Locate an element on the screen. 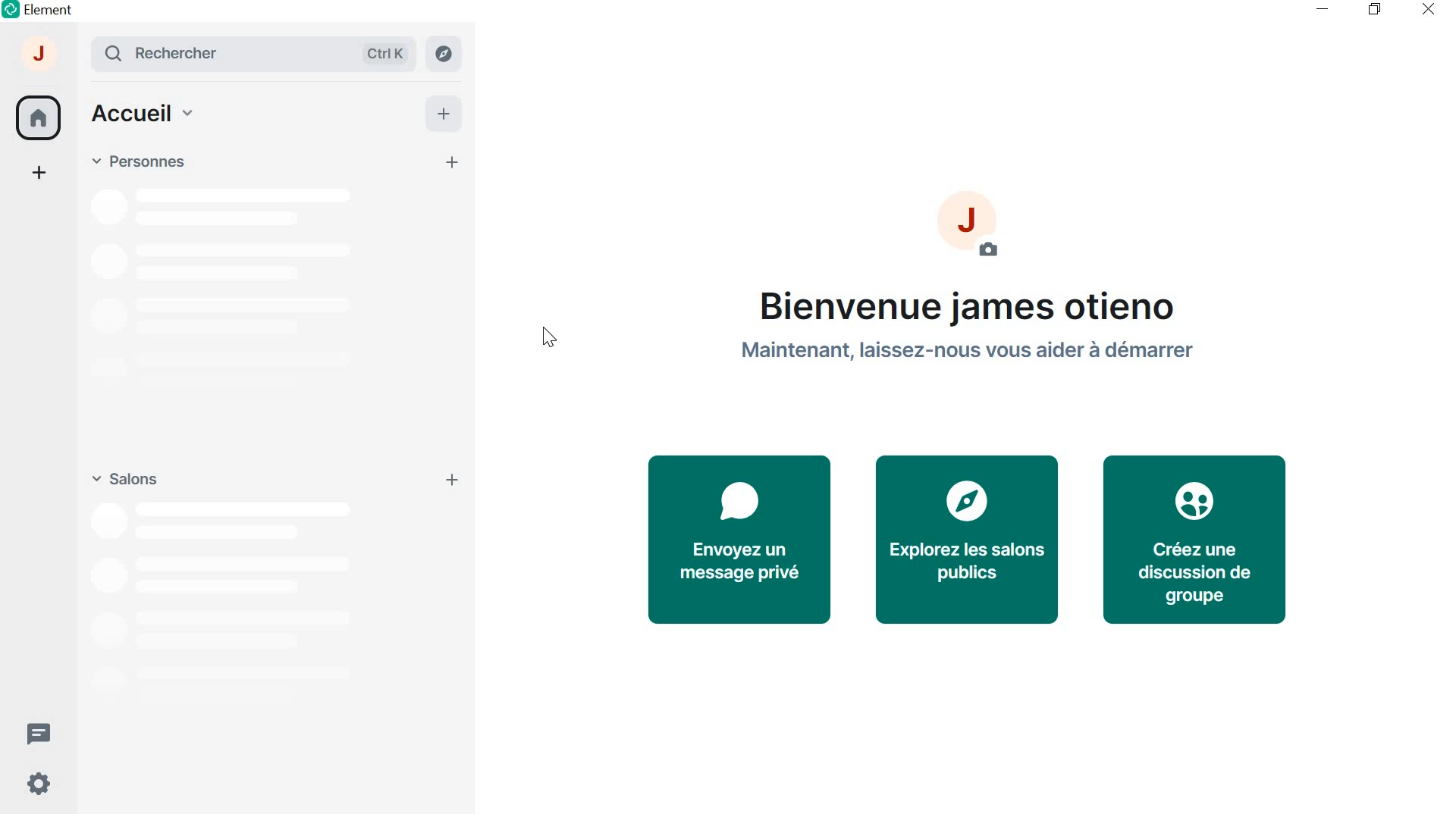 Image resolution: width=1456 pixels, height=814 pixels. MINIMIZE is located at coordinates (1324, 9).